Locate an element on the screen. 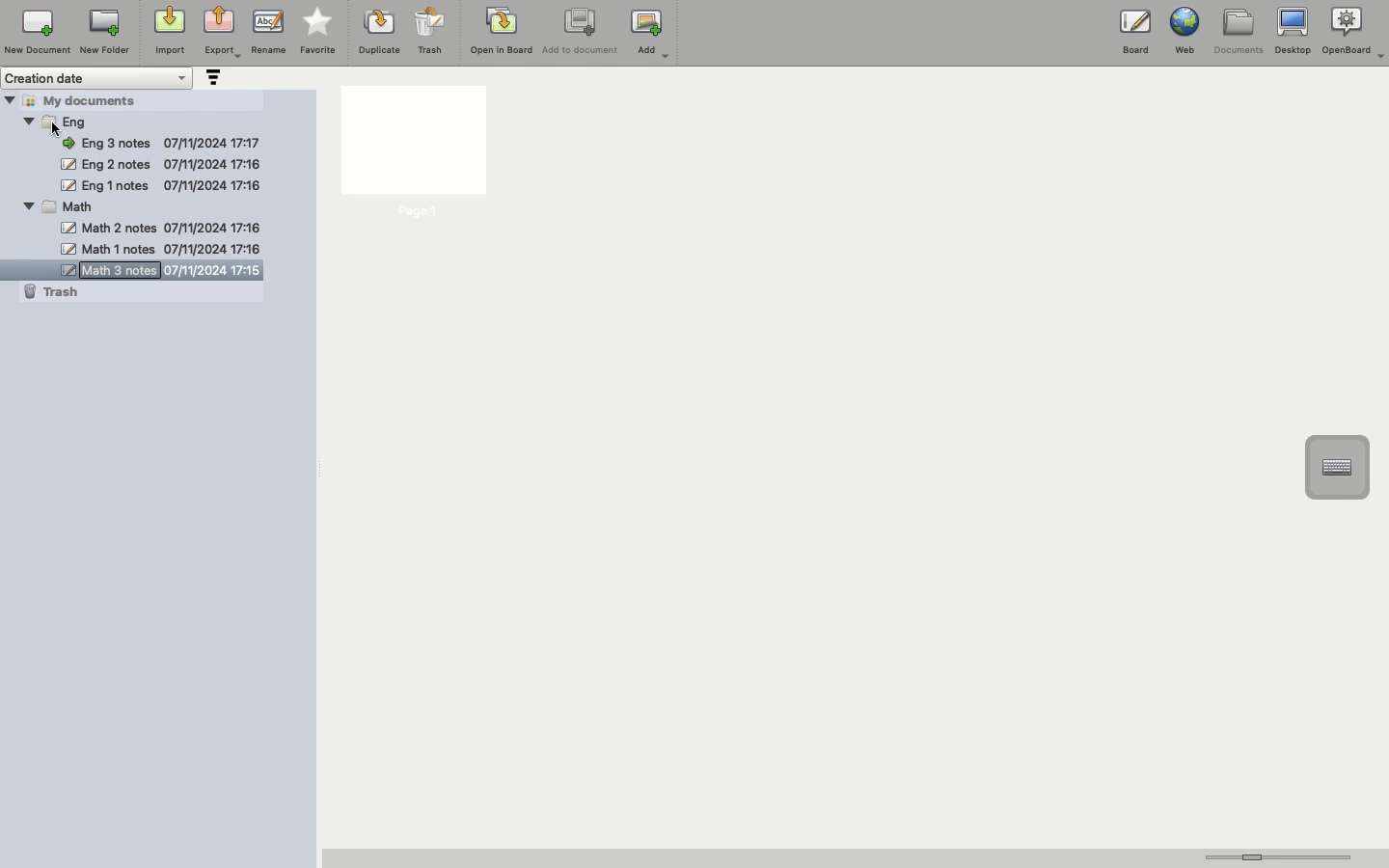 The width and height of the screenshot is (1389, 868). Export is located at coordinates (222, 34).